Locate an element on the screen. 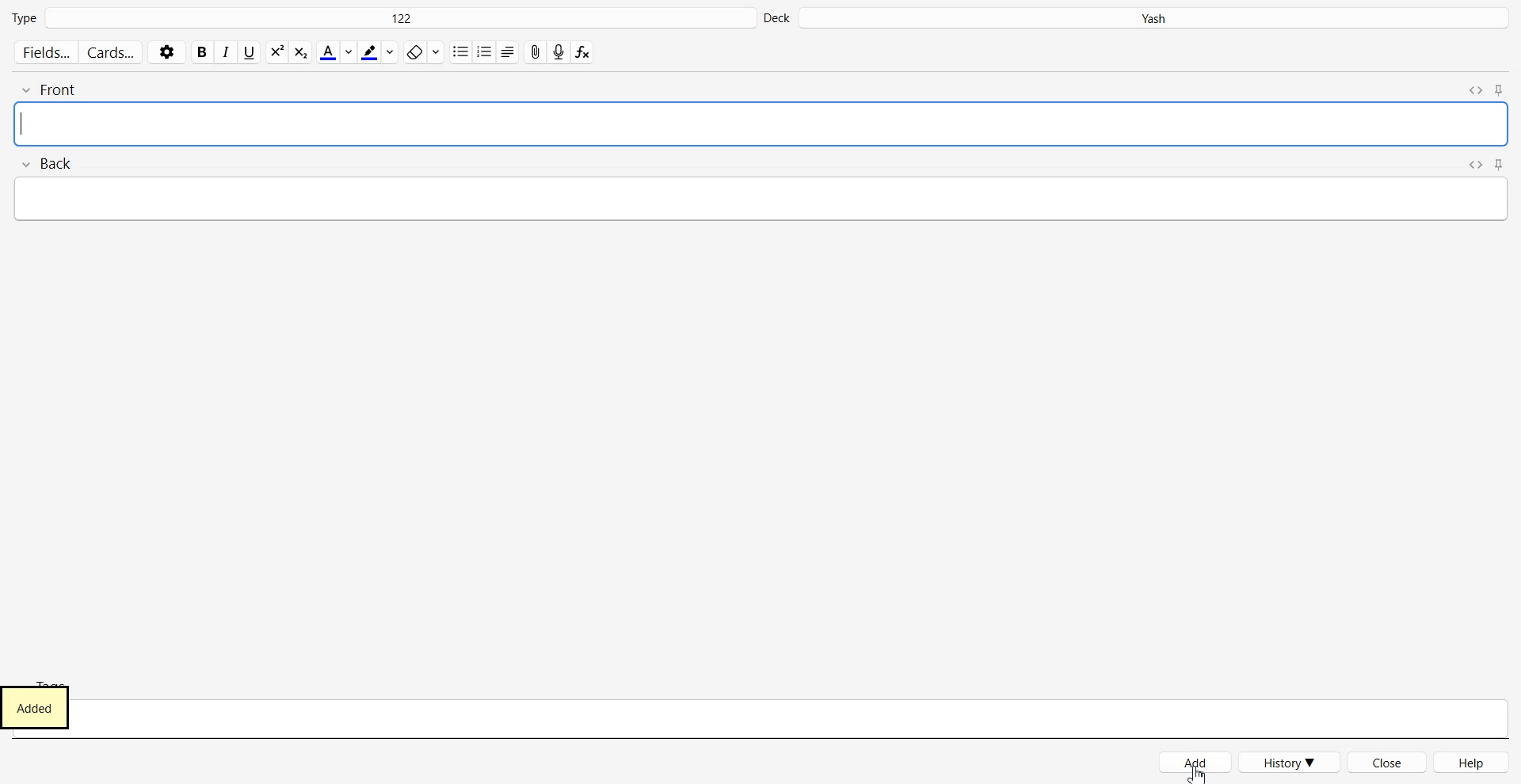  Front is located at coordinates (761, 110).